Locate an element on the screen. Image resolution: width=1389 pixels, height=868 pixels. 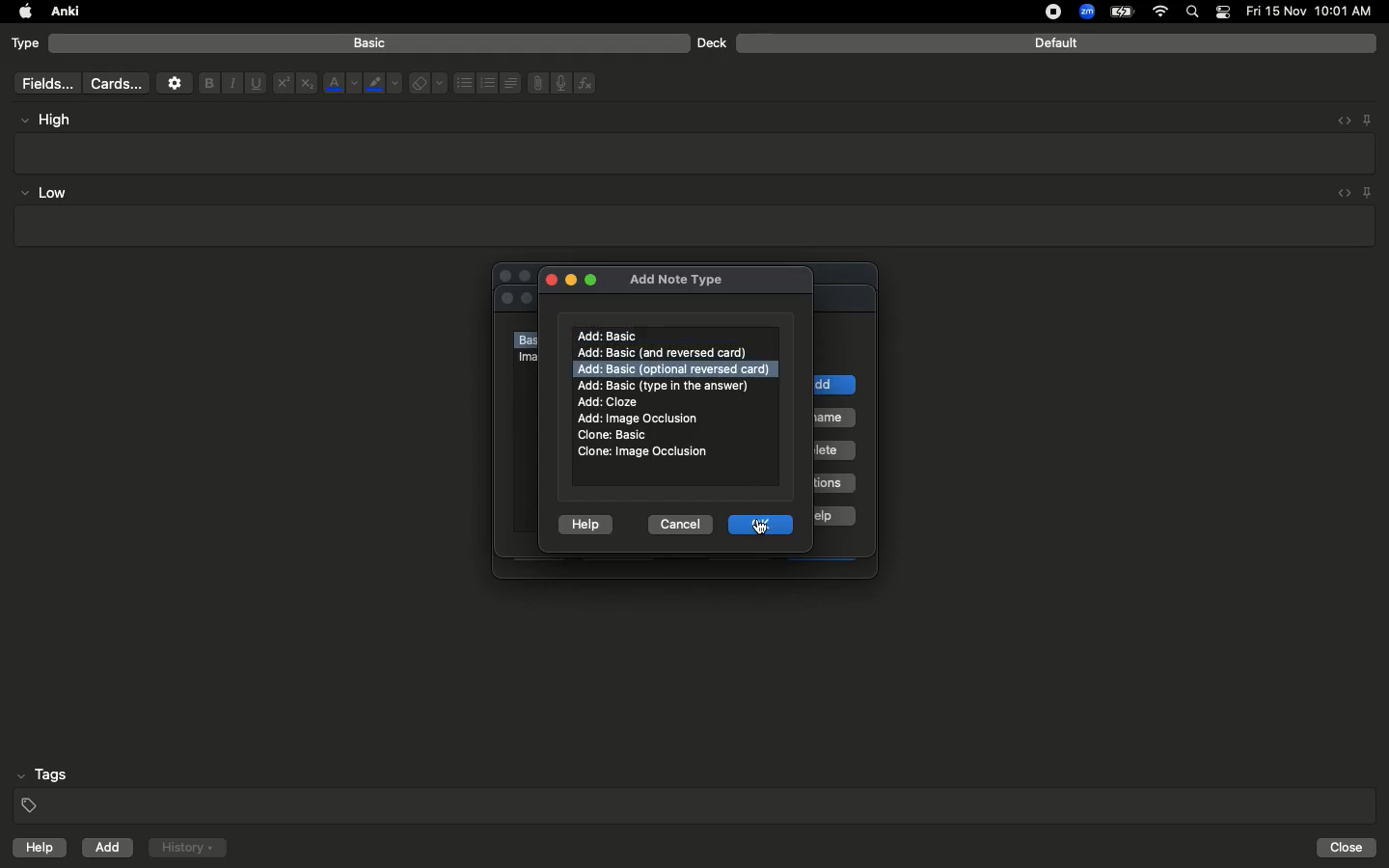
Internet is located at coordinates (1162, 13).